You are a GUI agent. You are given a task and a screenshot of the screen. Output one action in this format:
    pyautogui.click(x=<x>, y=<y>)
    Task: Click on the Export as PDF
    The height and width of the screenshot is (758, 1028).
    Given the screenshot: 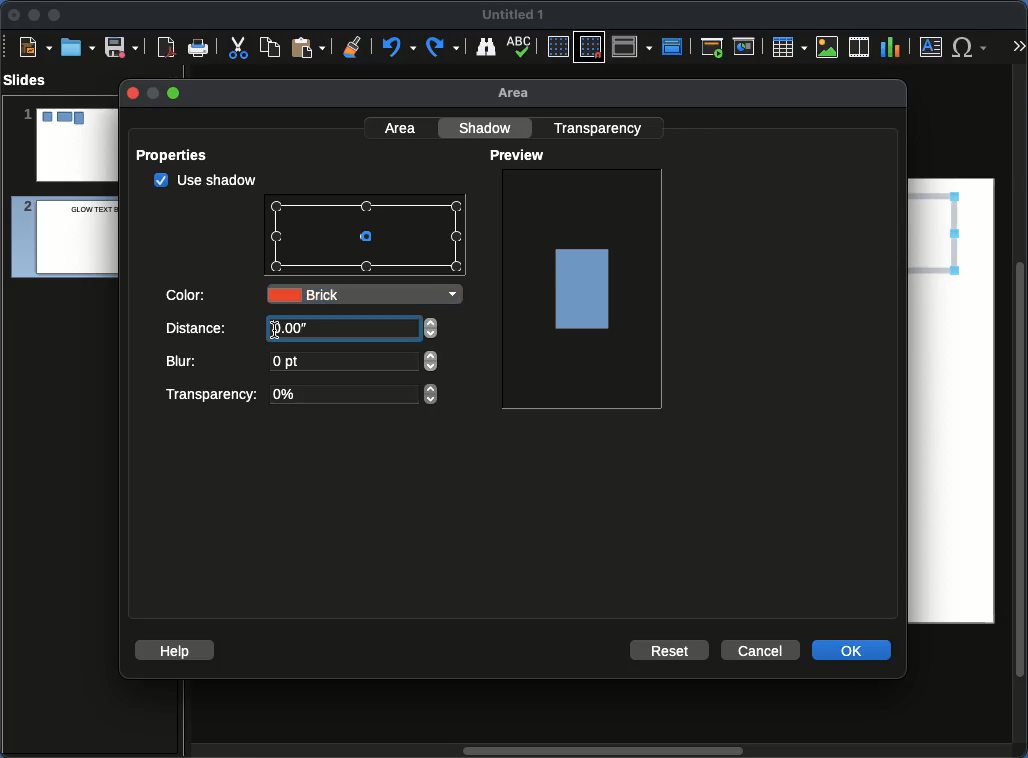 What is the action you would take?
    pyautogui.click(x=166, y=48)
    